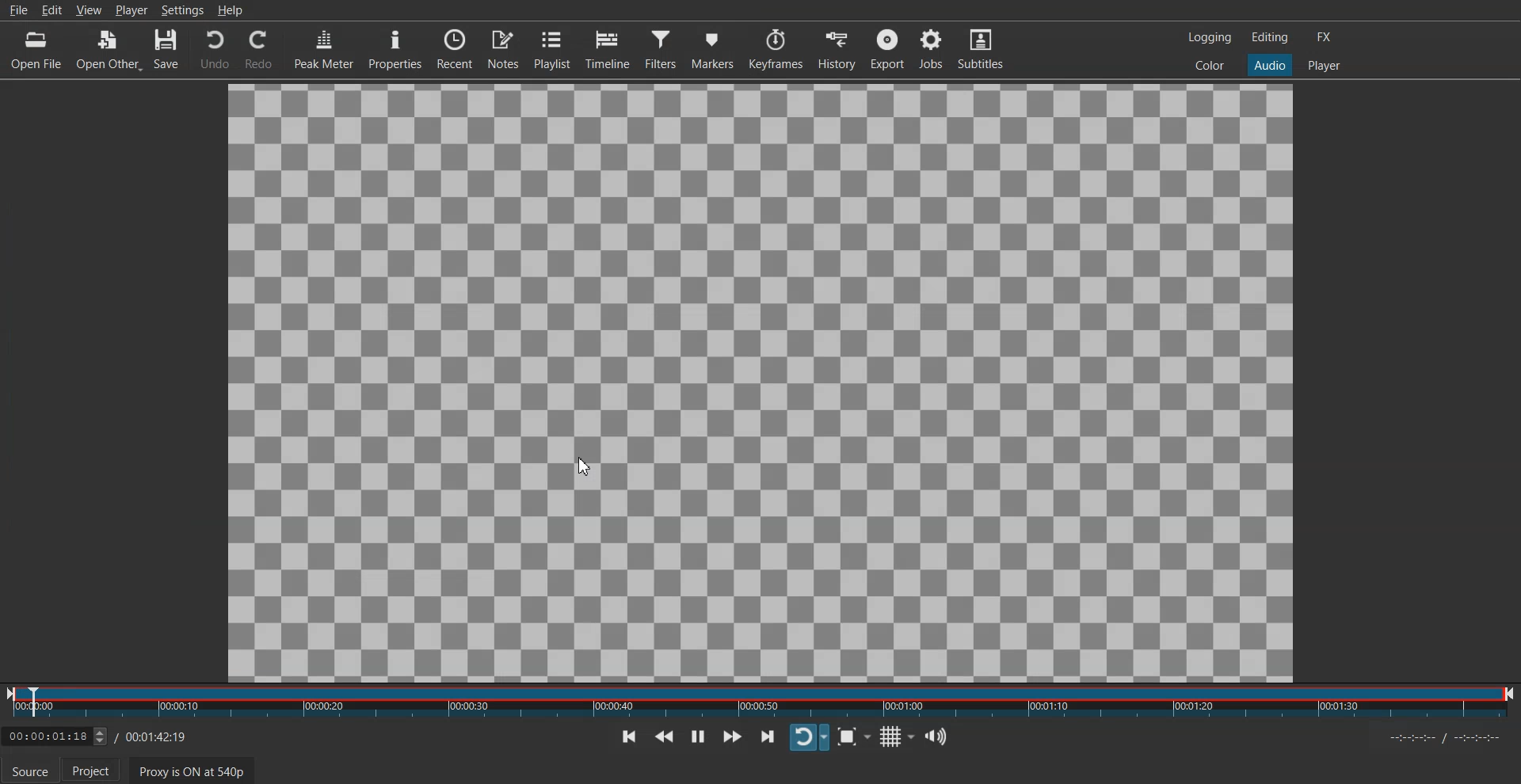 Image resolution: width=1521 pixels, height=784 pixels. I want to click on Playlist, so click(552, 49).